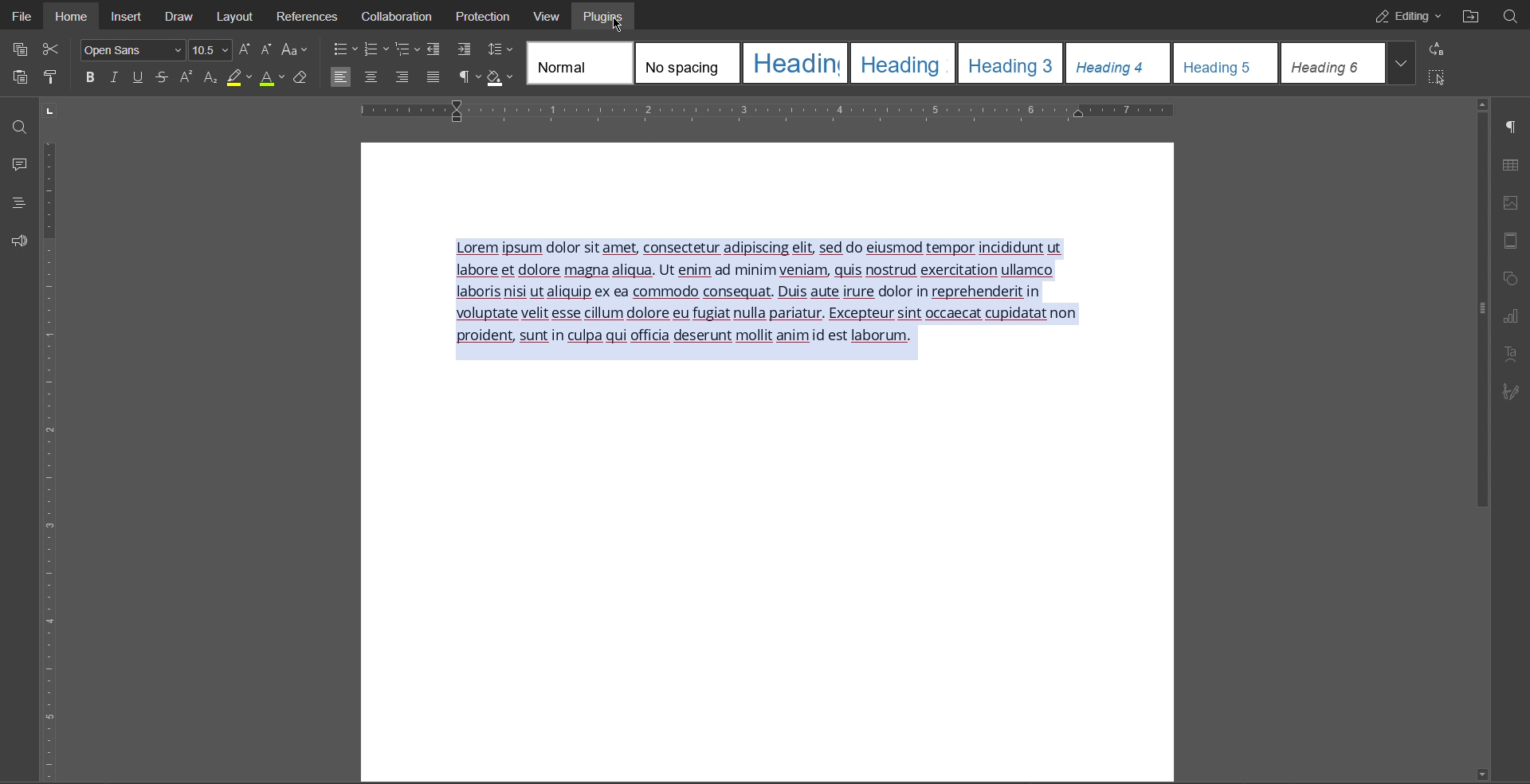 Image resolution: width=1530 pixels, height=784 pixels. I want to click on Heading Templates, so click(579, 64).